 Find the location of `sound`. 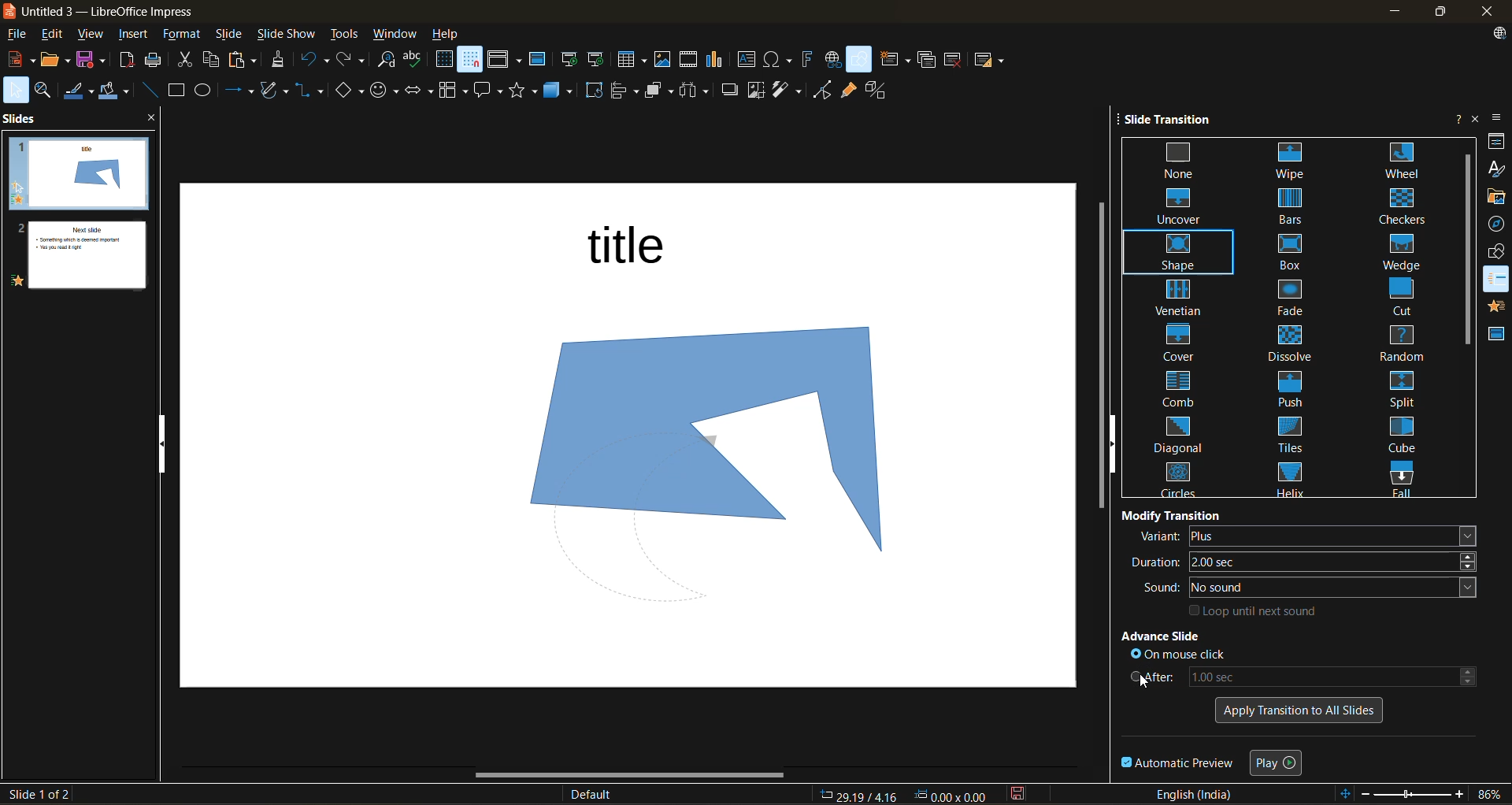

sound is located at coordinates (1313, 588).